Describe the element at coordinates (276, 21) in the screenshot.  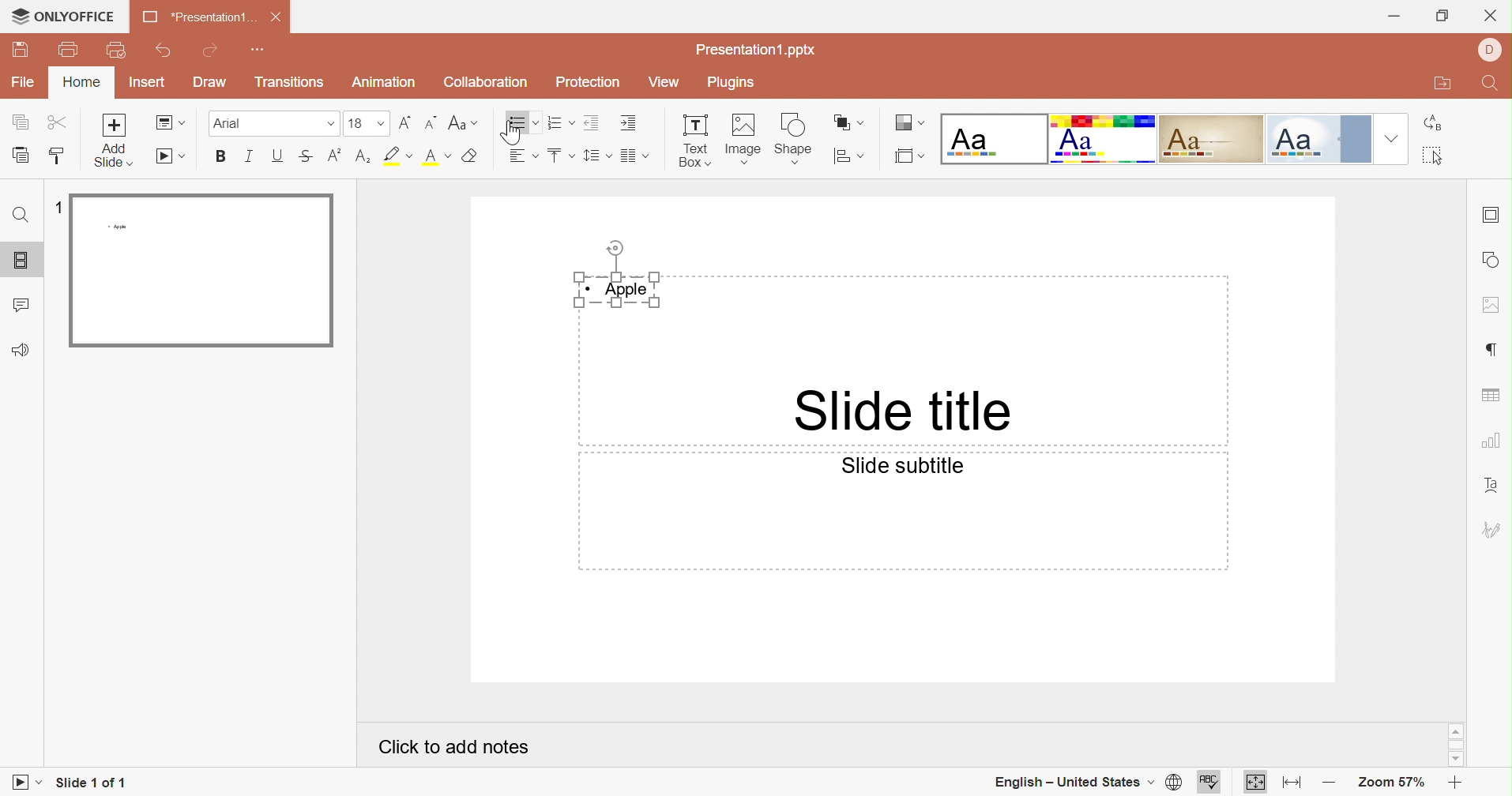
I see `Close` at that location.